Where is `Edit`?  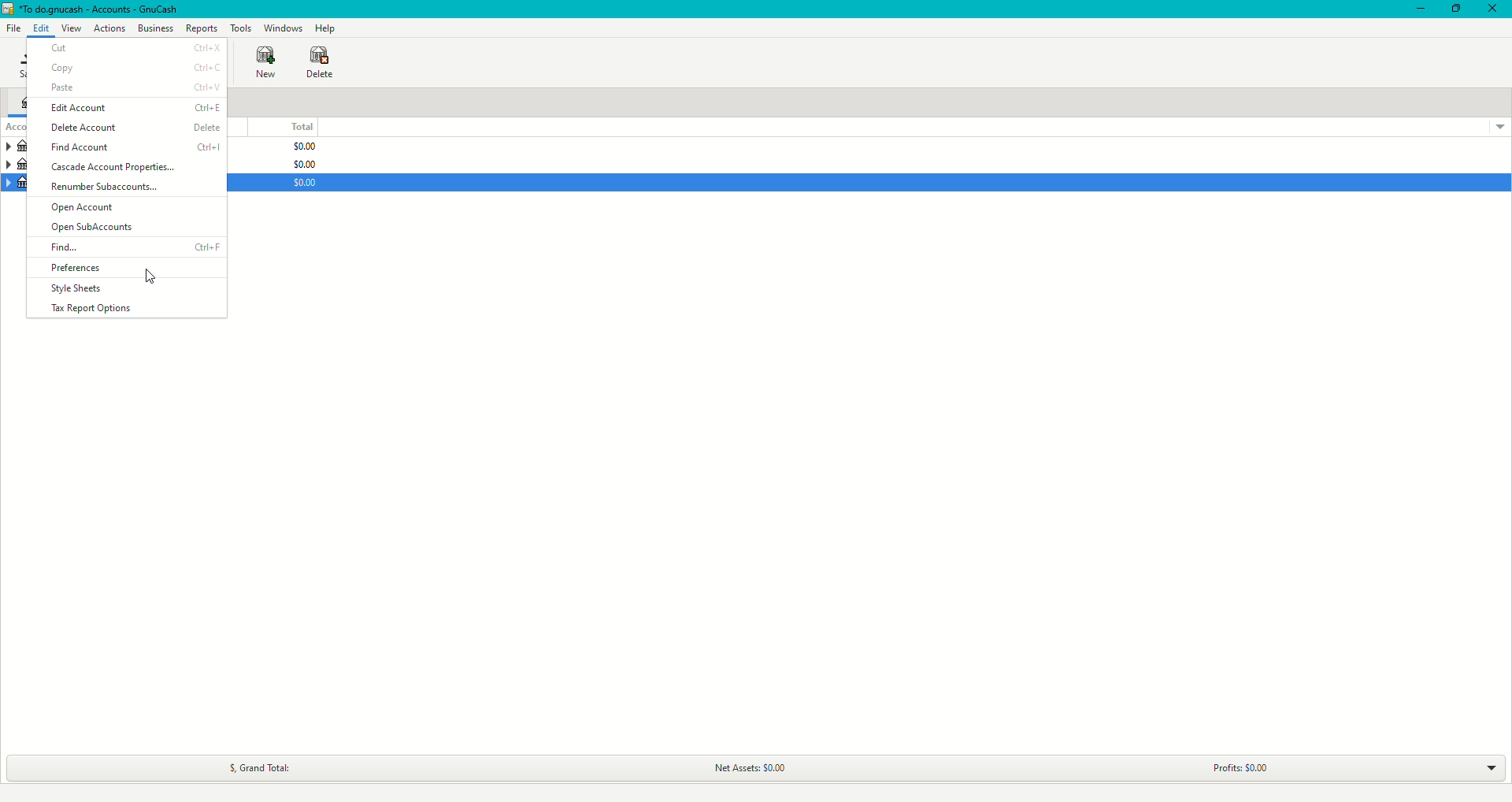
Edit is located at coordinates (39, 28).